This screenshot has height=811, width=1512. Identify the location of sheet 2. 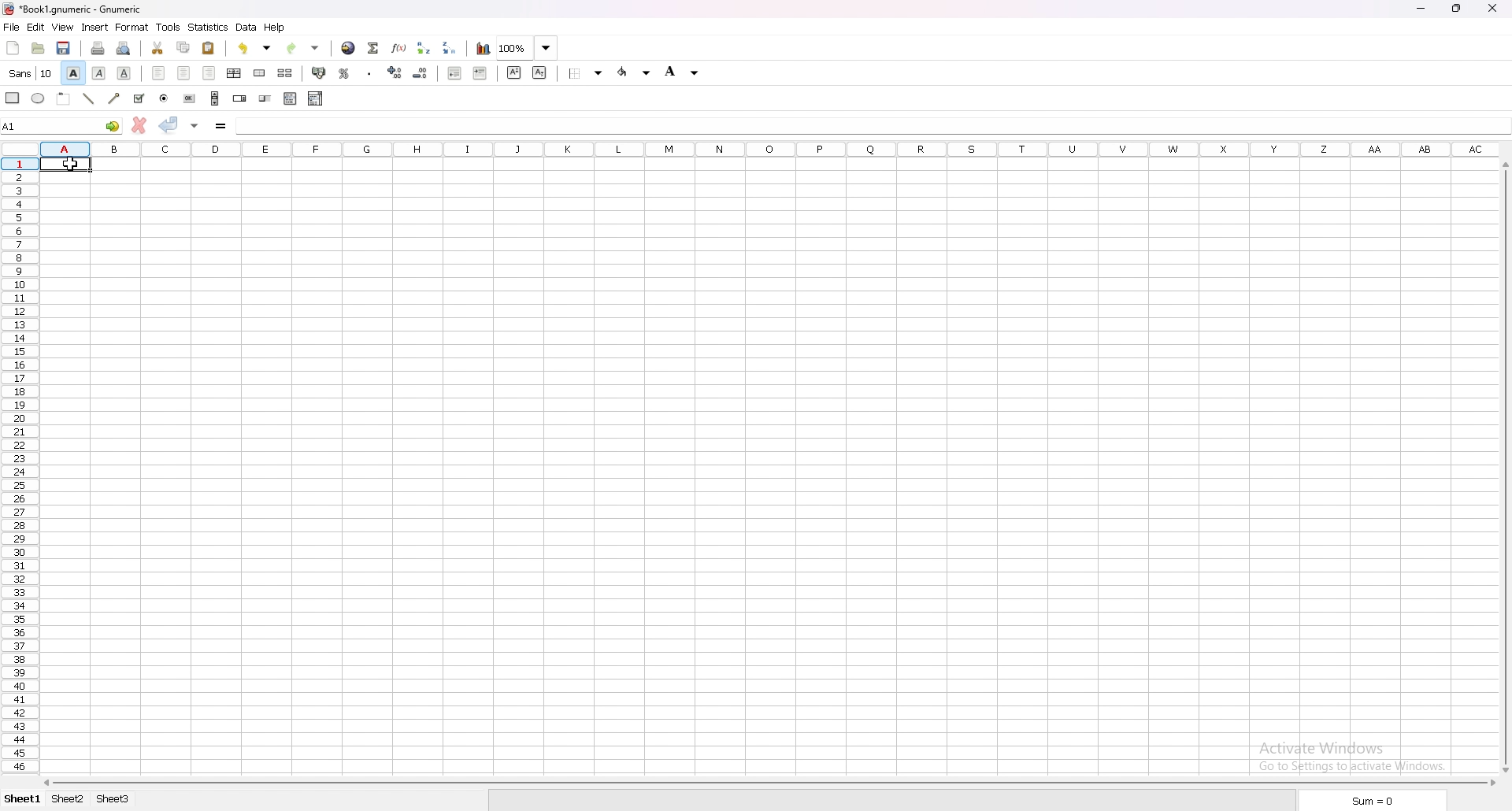
(69, 800).